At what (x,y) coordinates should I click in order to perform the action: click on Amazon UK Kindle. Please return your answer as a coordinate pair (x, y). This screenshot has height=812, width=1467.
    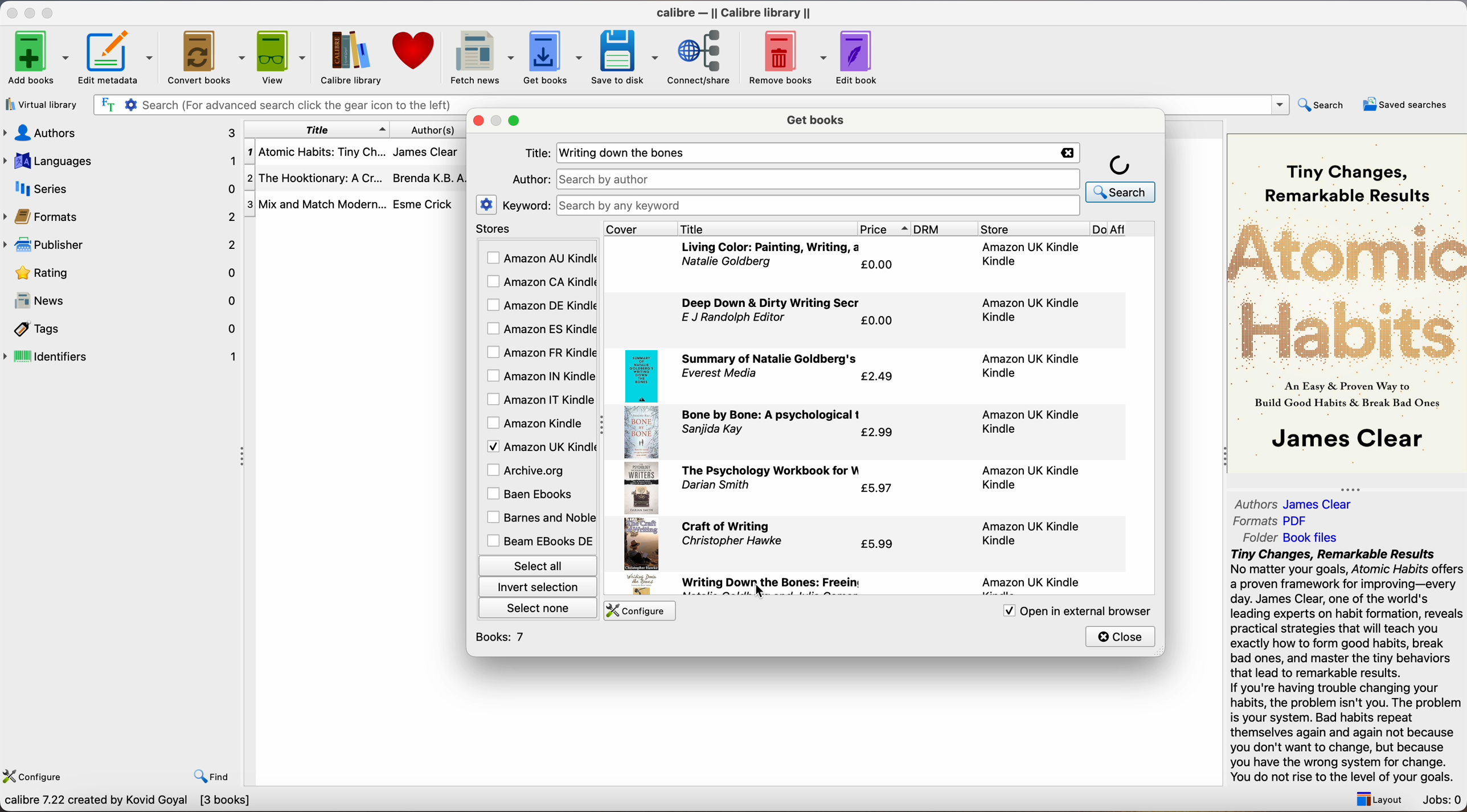
    Looking at the image, I should click on (539, 446).